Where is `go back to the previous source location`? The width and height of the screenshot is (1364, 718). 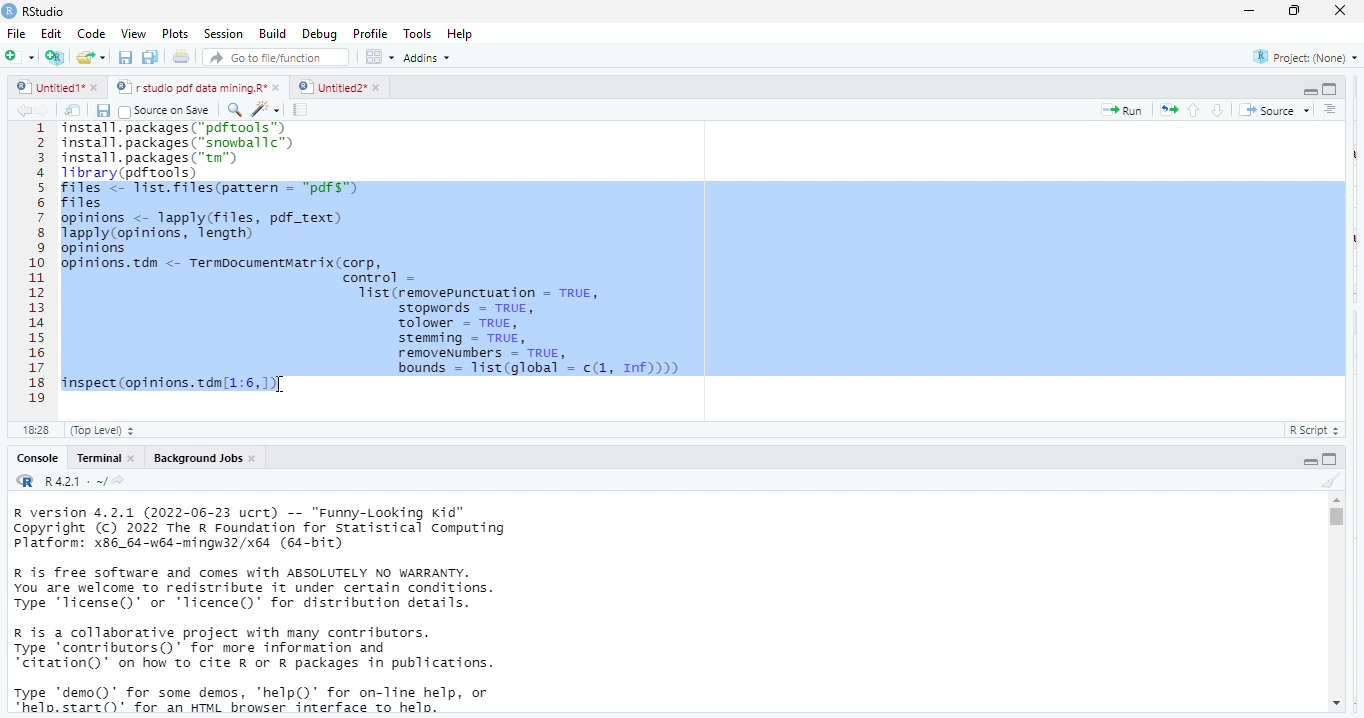 go back to the previous source location is located at coordinates (24, 110).